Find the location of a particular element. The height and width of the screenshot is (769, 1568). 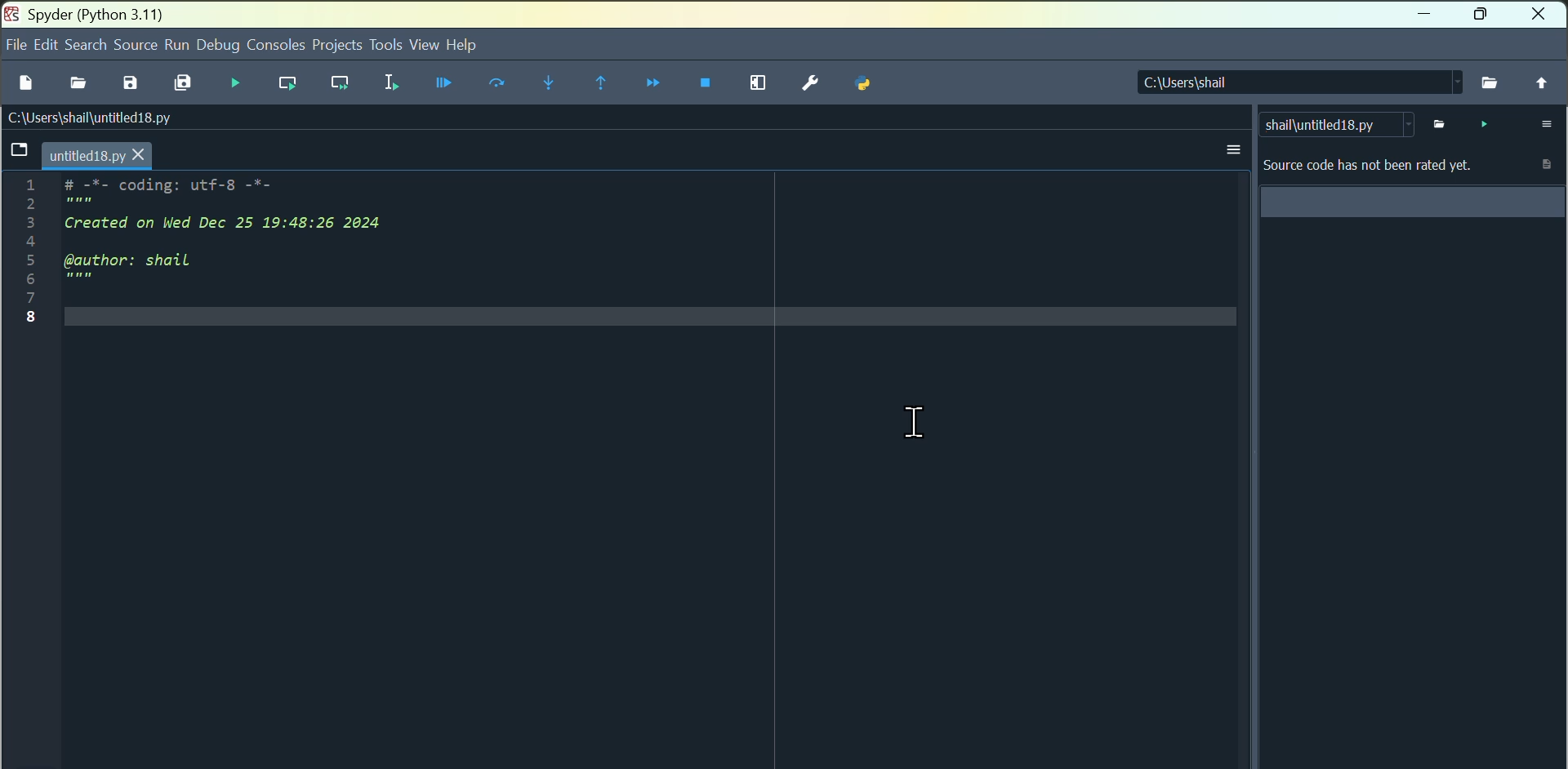

Python path manager is located at coordinates (866, 87).